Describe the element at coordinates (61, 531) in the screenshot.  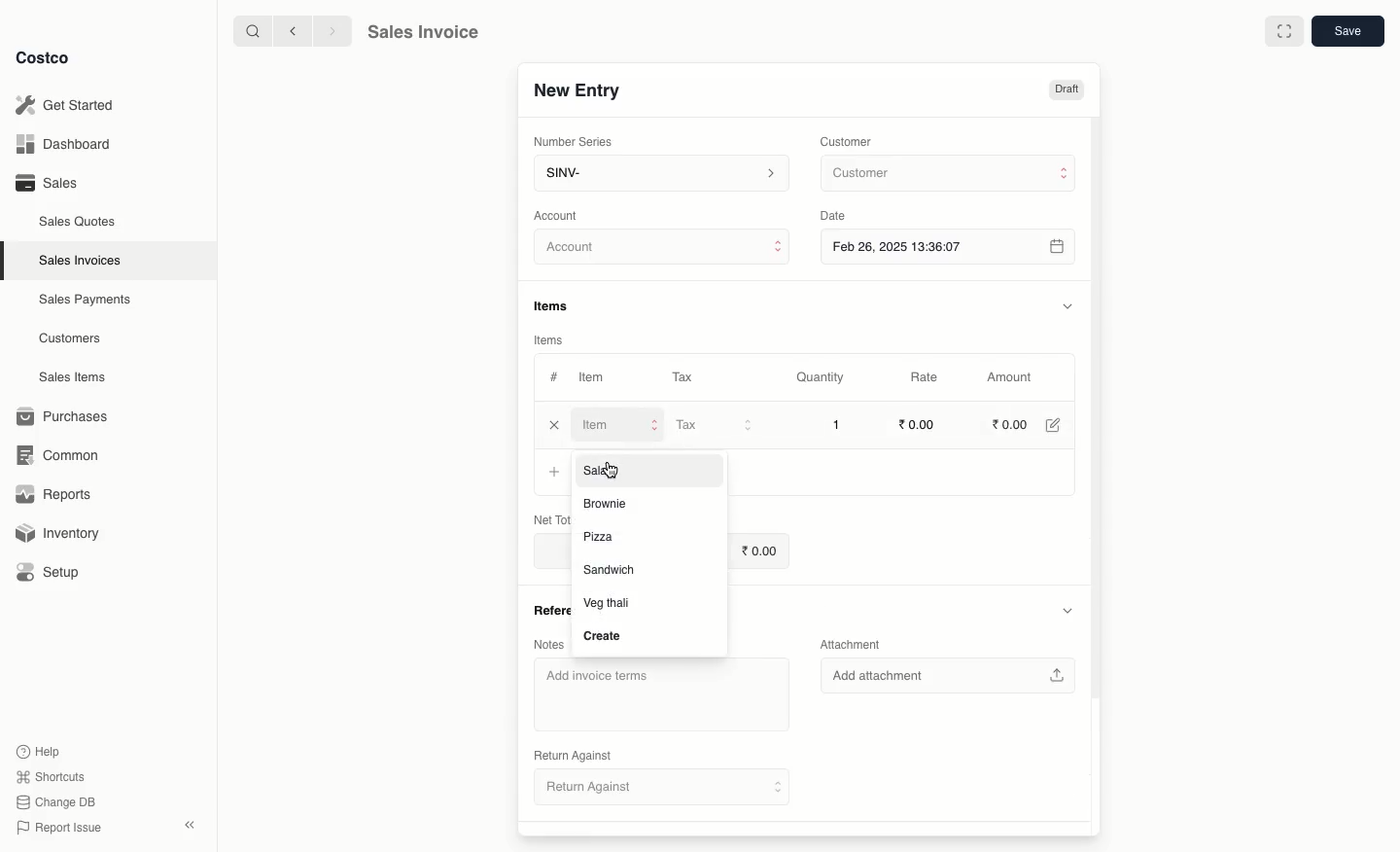
I see `Inventory` at that location.